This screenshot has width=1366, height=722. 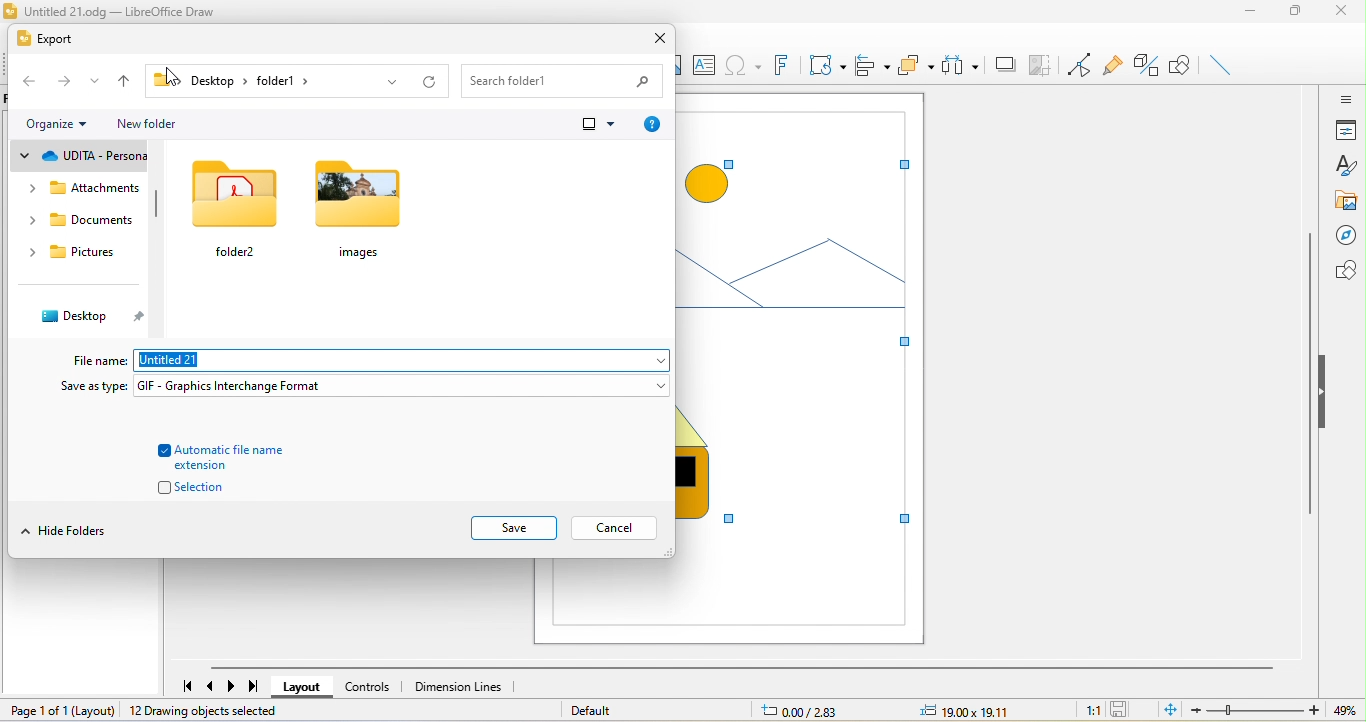 I want to click on Untitled 21.odg — LibreOffice Draw, so click(x=118, y=12).